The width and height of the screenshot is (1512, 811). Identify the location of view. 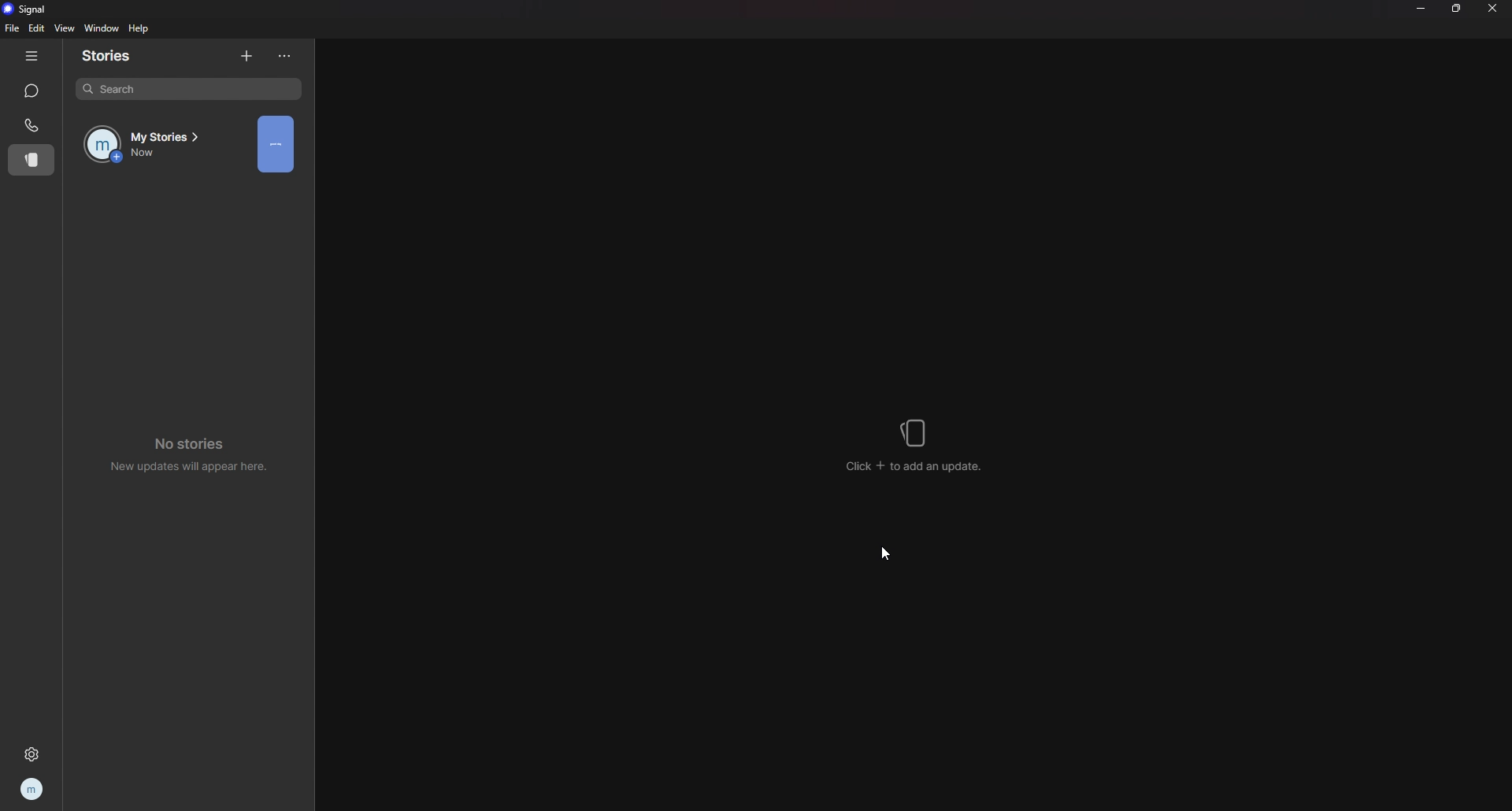
(64, 28).